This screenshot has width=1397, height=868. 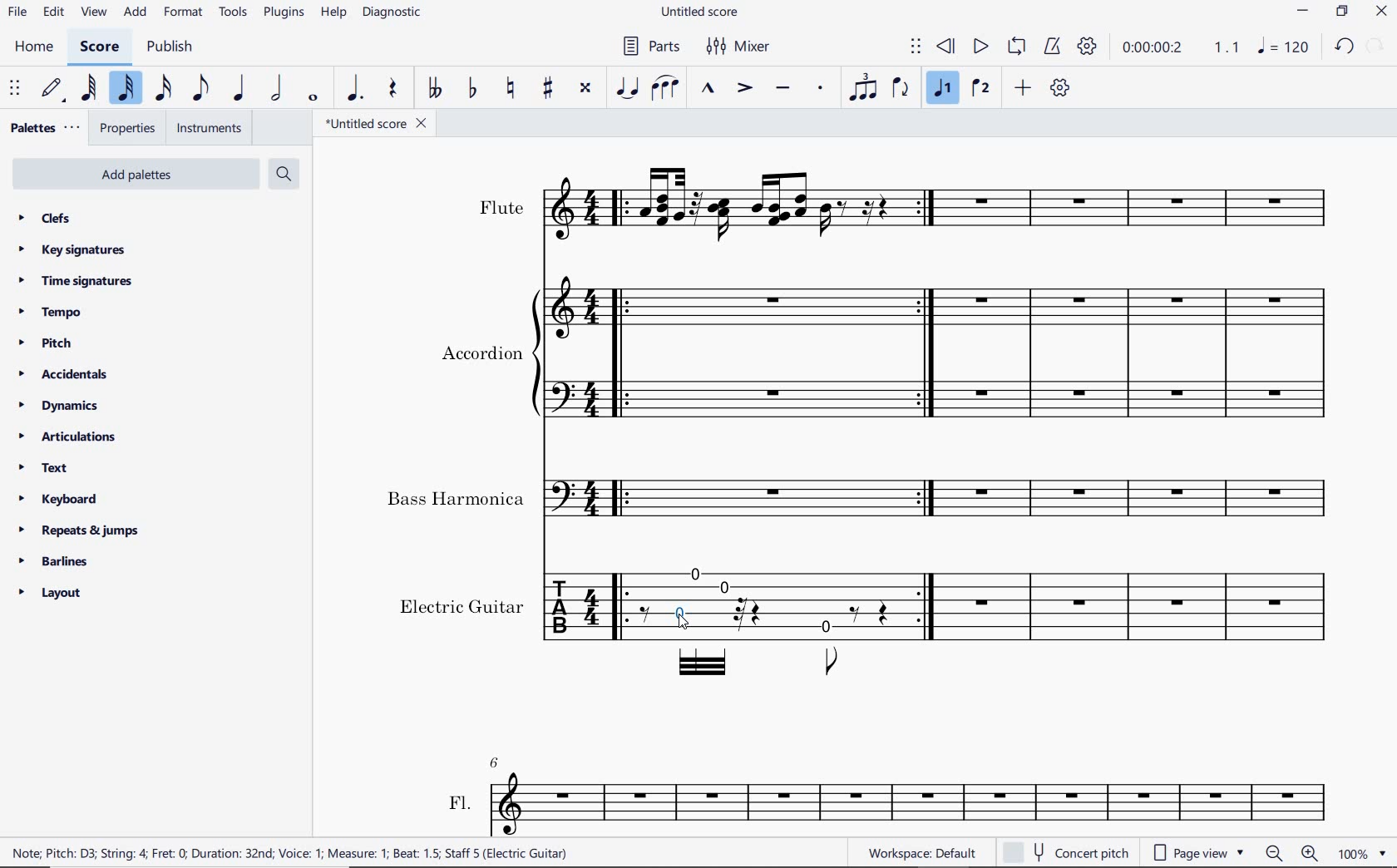 What do you see at coordinates (136, 14) in the screenshot?
I see `add` at bounding box center [136, 14].